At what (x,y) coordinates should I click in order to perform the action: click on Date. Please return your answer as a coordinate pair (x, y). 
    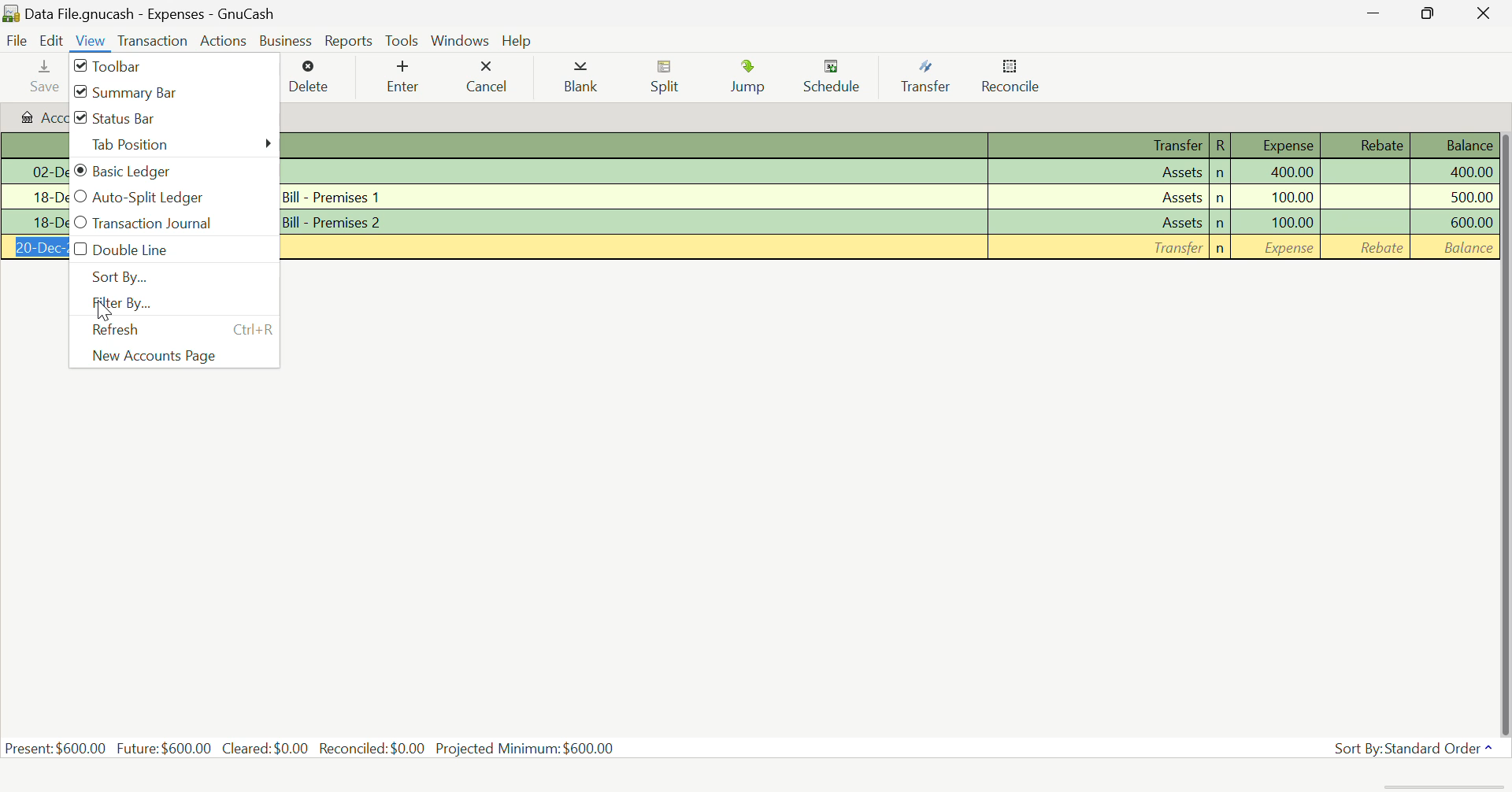
    Looking at the image, I should click on (35, 172).